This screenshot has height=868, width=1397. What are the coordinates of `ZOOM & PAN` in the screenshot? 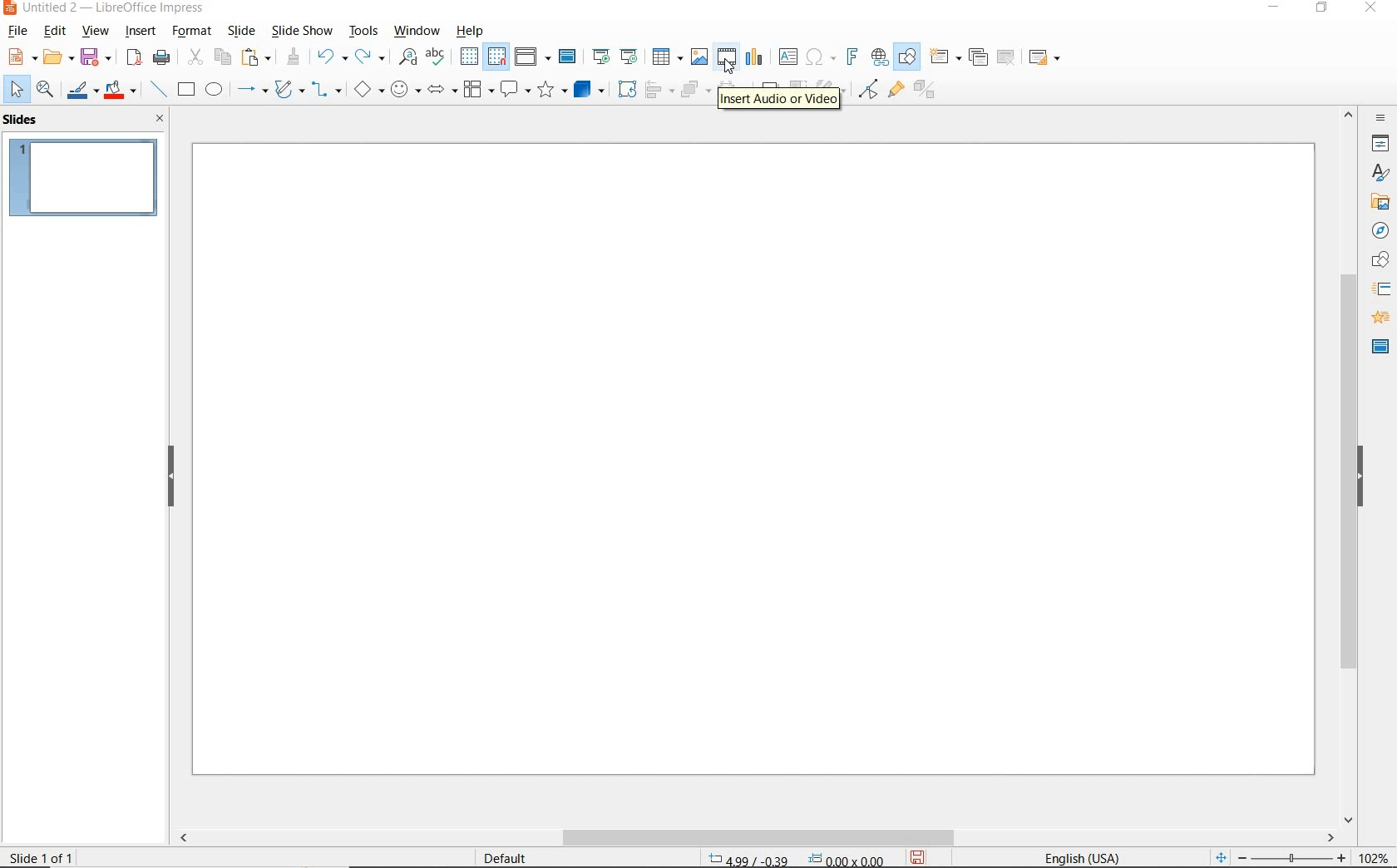 It's located at (45, 90).